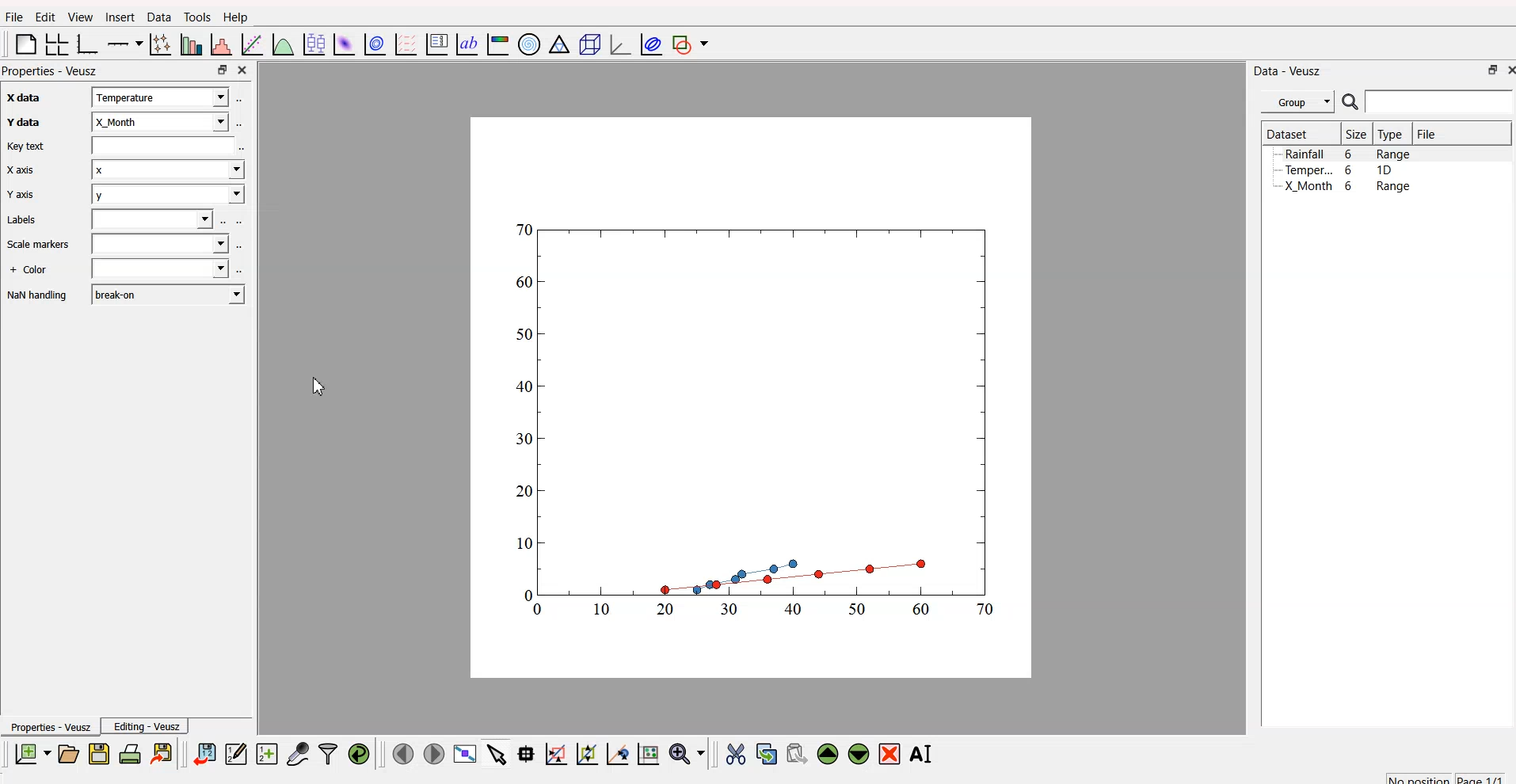  I want to click on move to previous page, so click(403, 752).